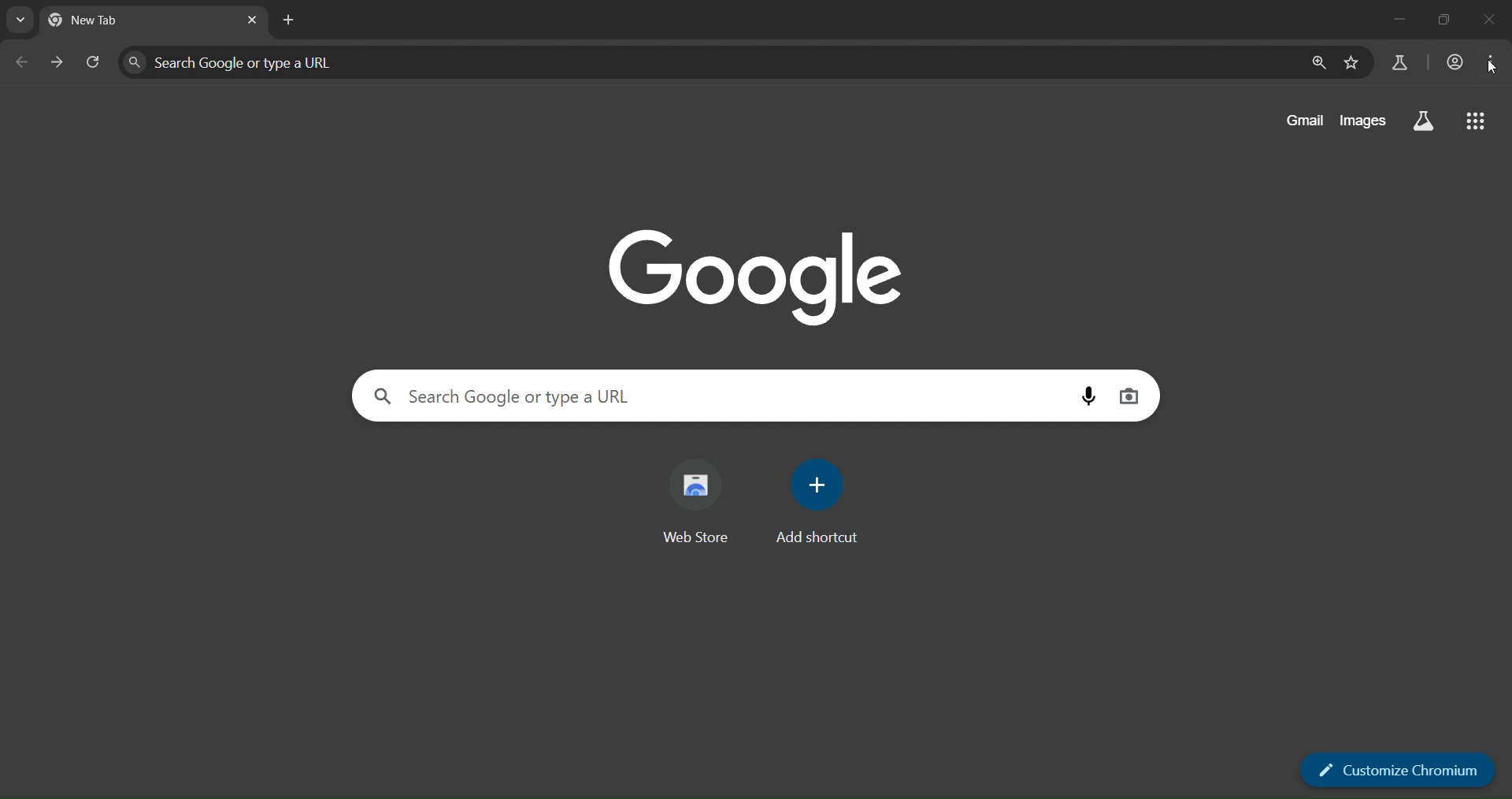  What do you see at coordinates (251, 21) in the screenshot?
I see `close page` at bounding box center [251, 21].